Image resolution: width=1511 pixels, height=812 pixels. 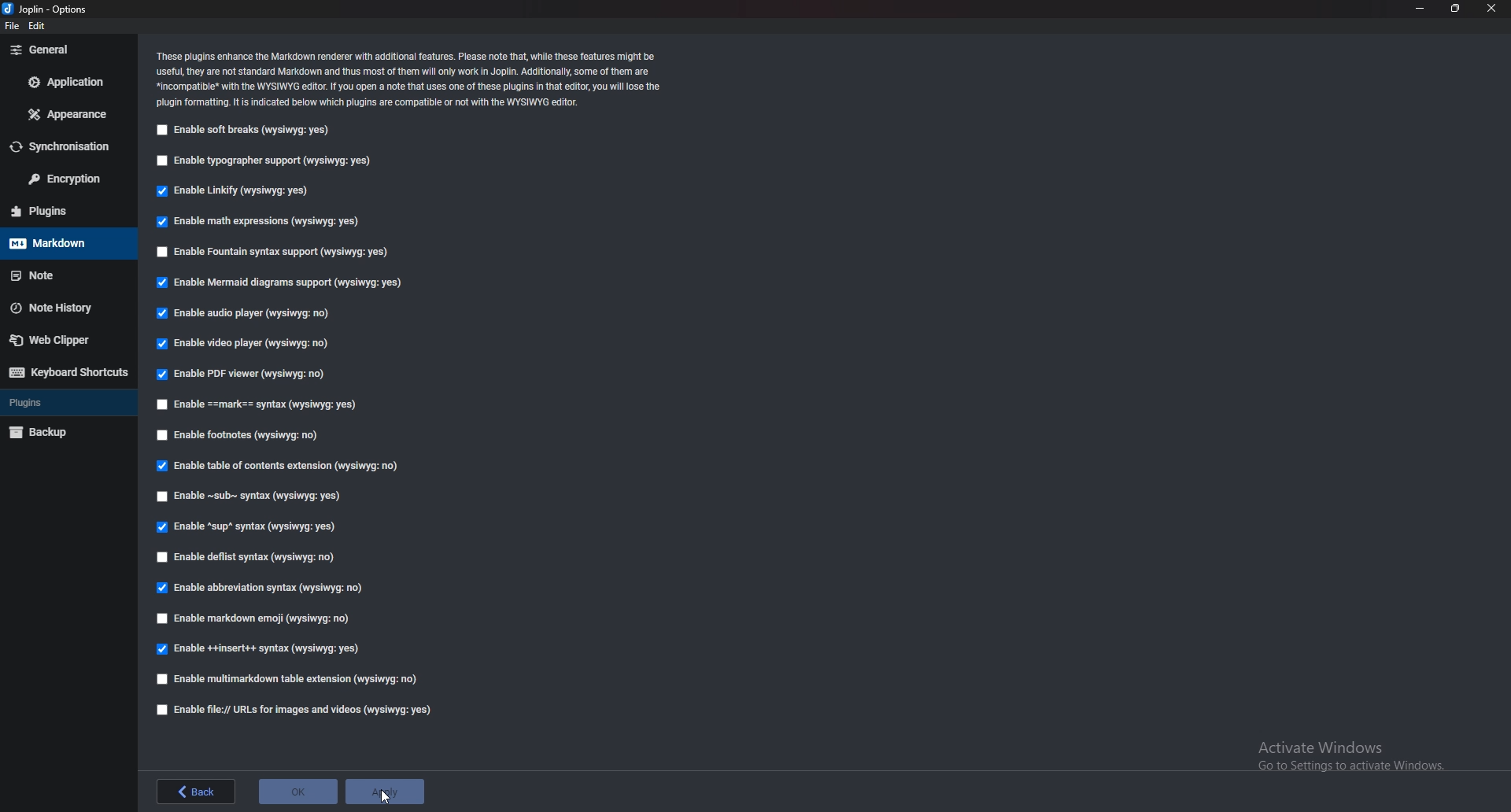 I want to click on enable deflist syntax, so click(x=249, y=555).